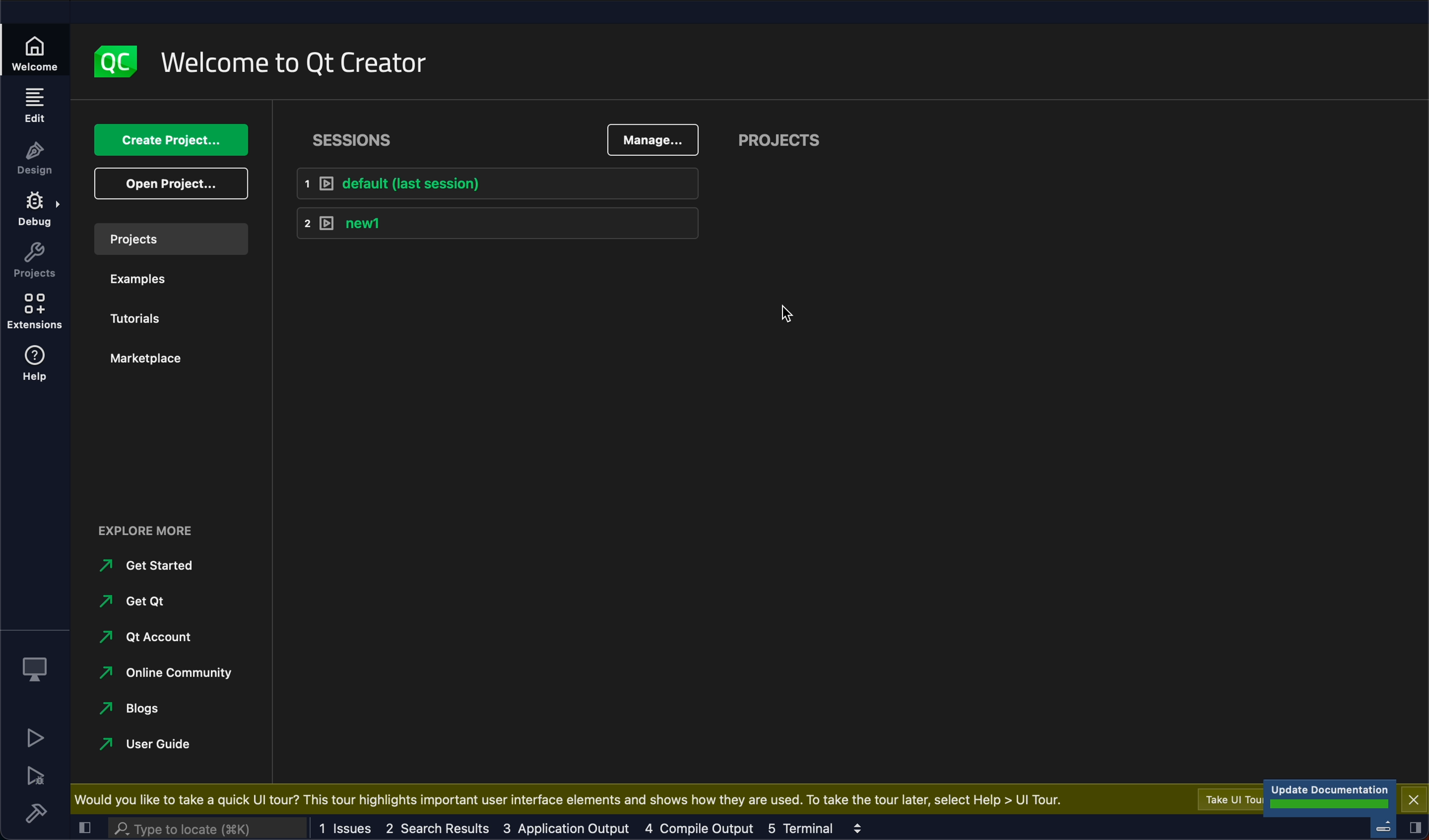 This screenshot has width=1429, height=840. Describe the element at coordinates (572, 797) in the screenshot. I see `UI tour` at that location.